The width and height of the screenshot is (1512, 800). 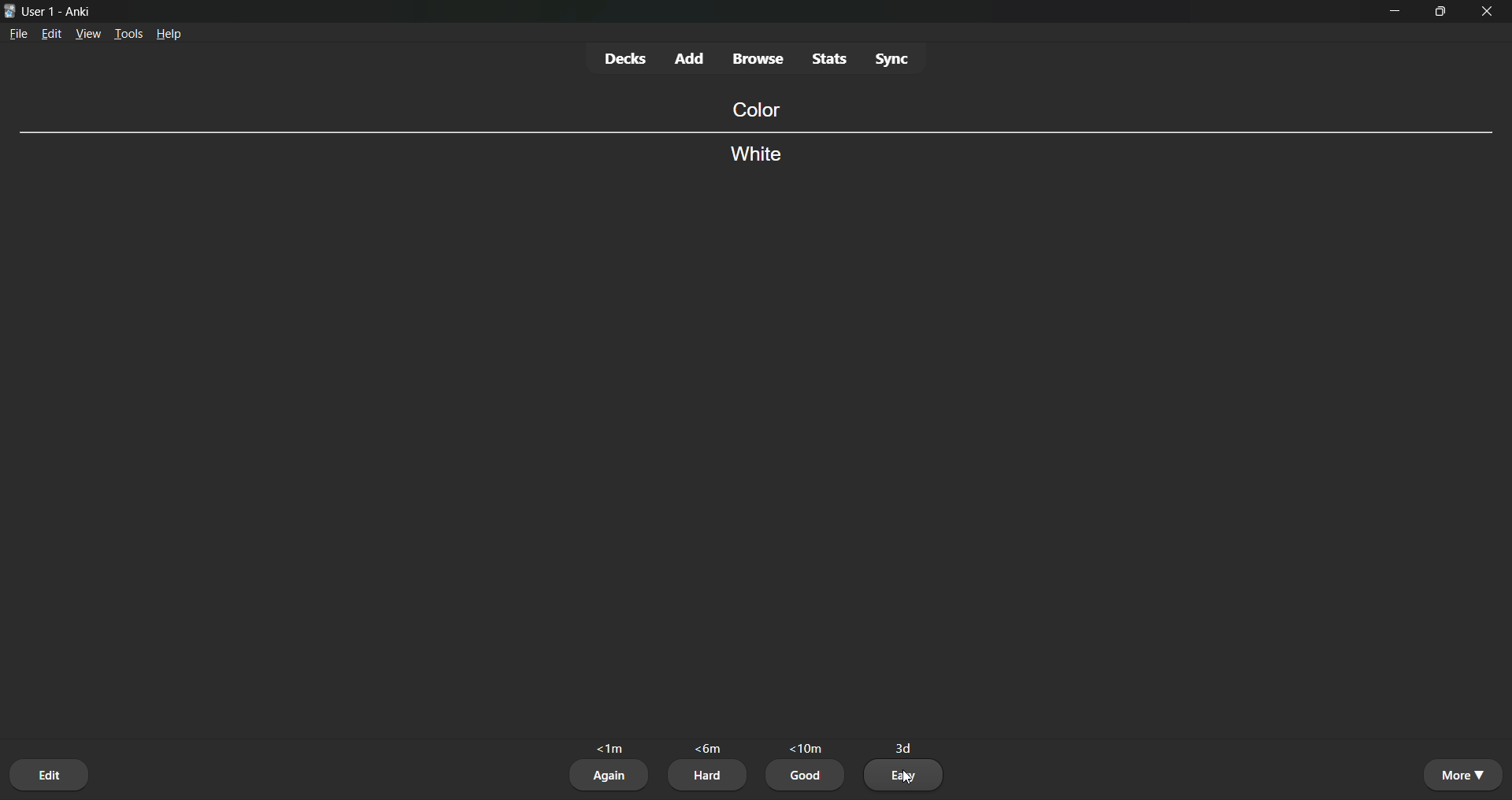 What do you see at coordinates (51, 772) in the screenshot?
I see `edit` at bounding box center [51, 772].